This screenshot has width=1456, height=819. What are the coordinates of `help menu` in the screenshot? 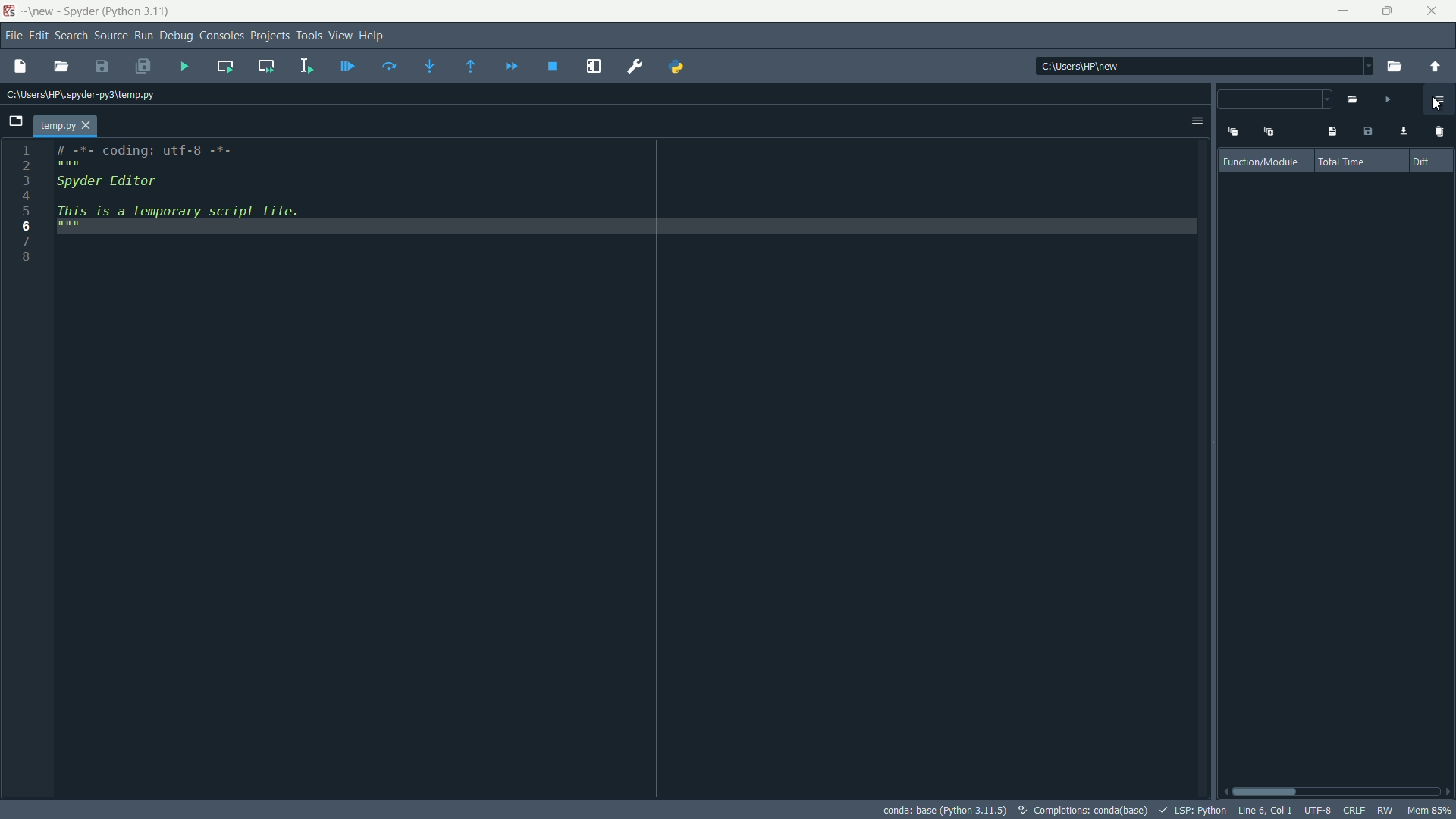 It's located at (374, 35).